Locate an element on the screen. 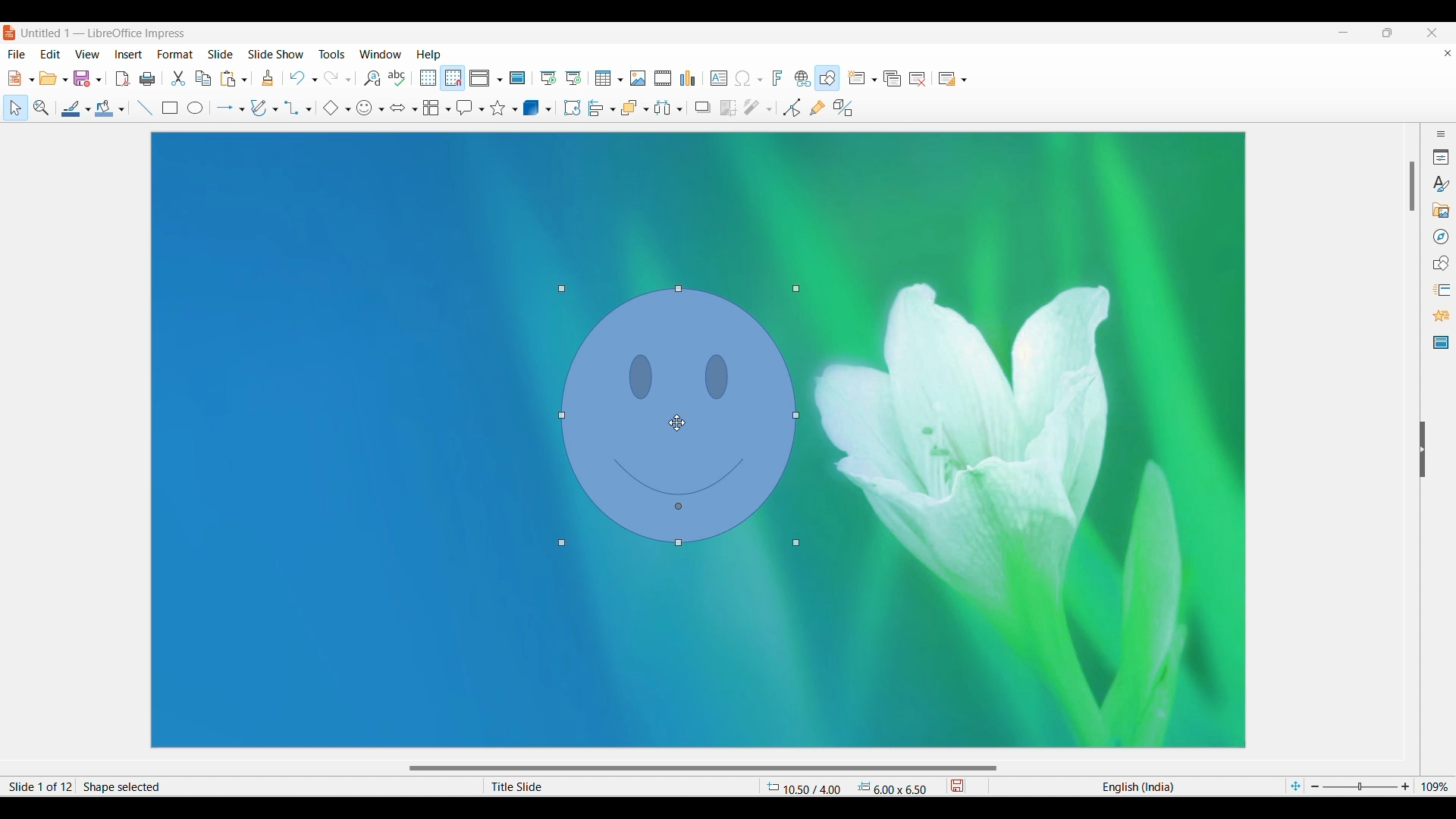 The height and width of the screenshot is (819, 1456). Slide is located at coordinates (221, 54).